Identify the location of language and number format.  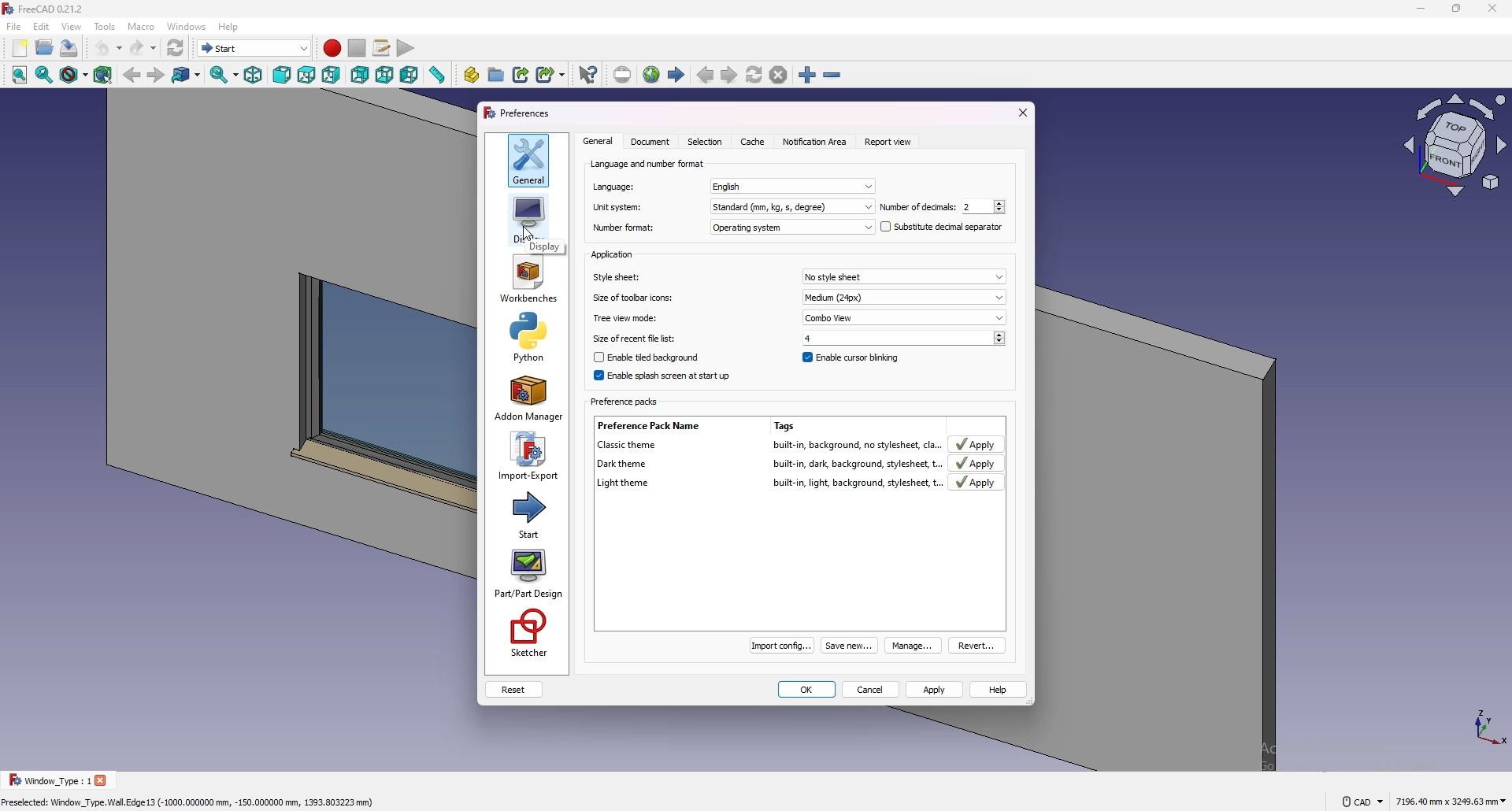
(646, 164).